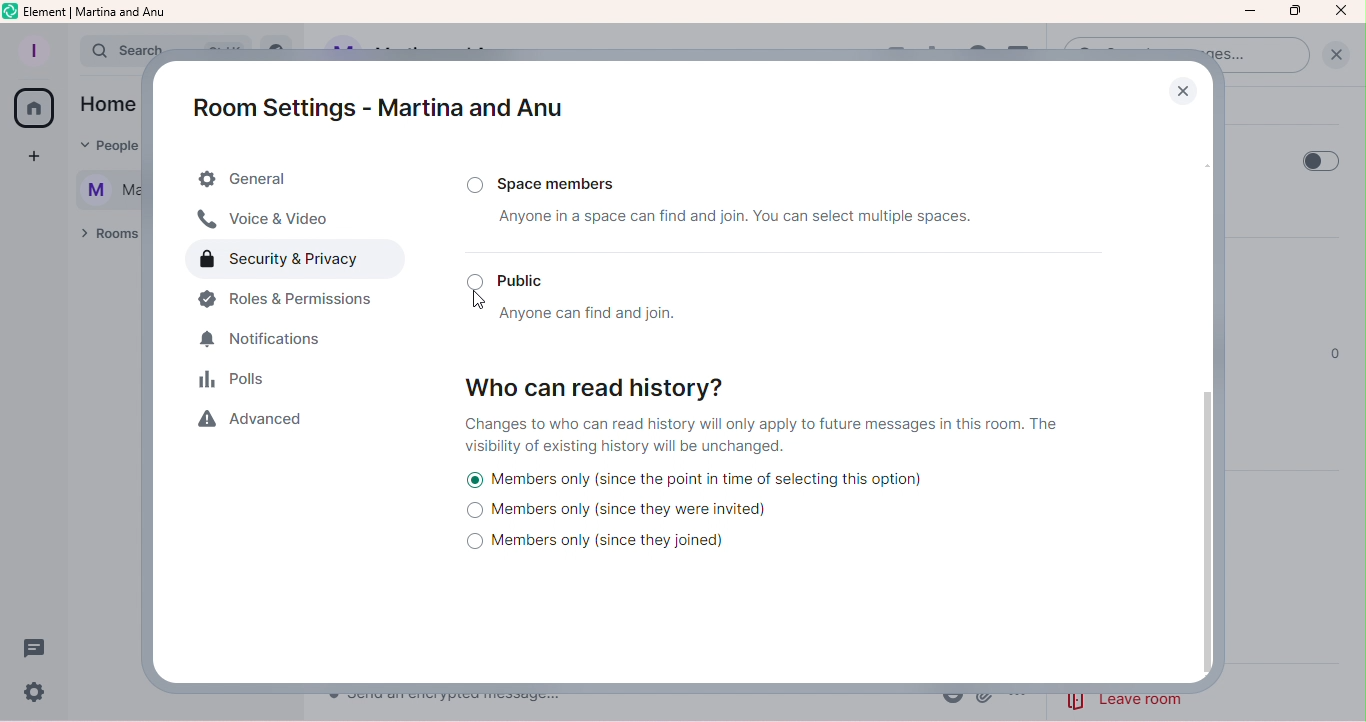 The height and width of the screenshot is (722, 1366). What do you see at coordinates (299, 180) in the screenshot?
I see `General` at bounding box center [299, 180].